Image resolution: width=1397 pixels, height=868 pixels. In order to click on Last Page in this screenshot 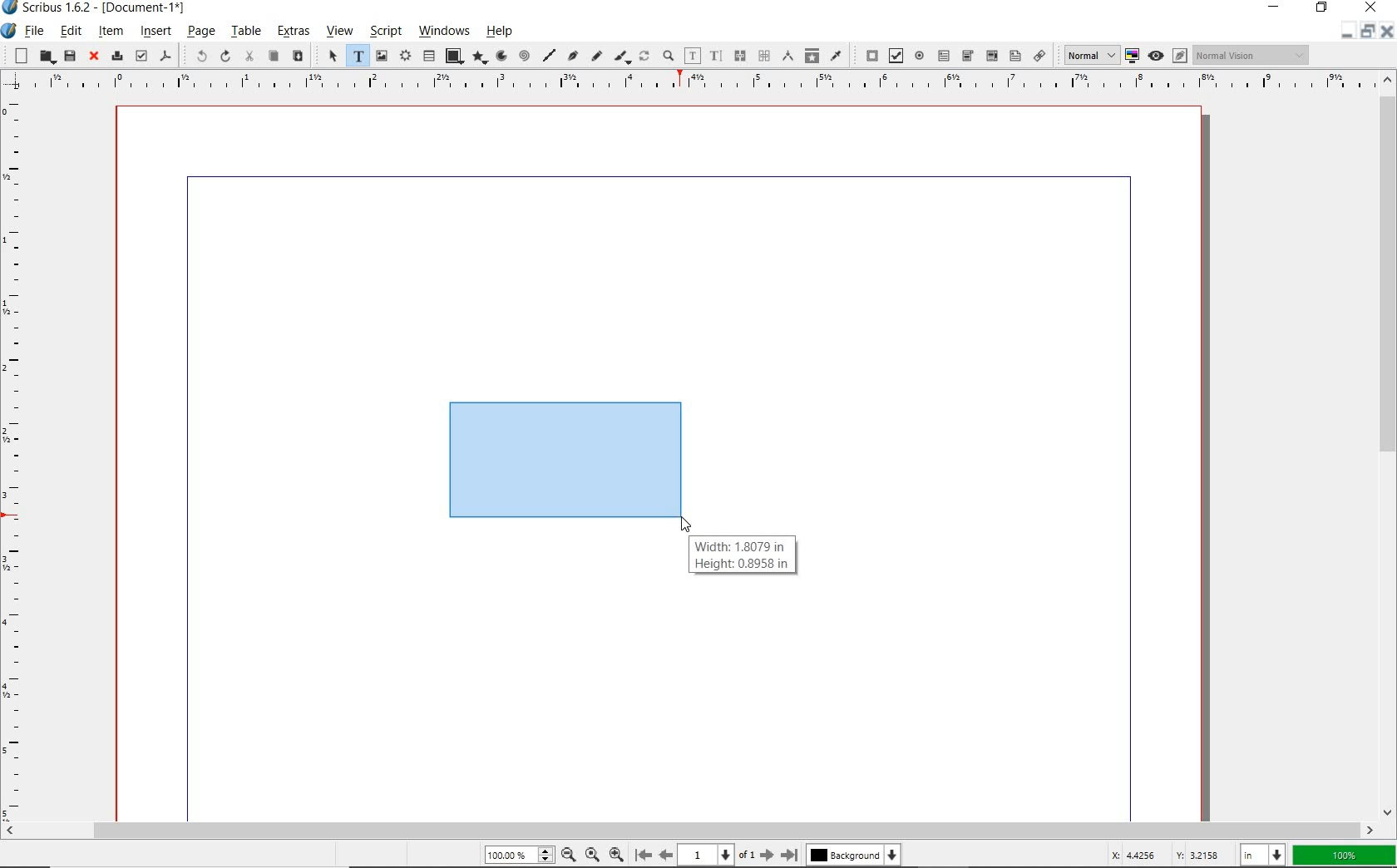, I will do `click(791, 855)`.